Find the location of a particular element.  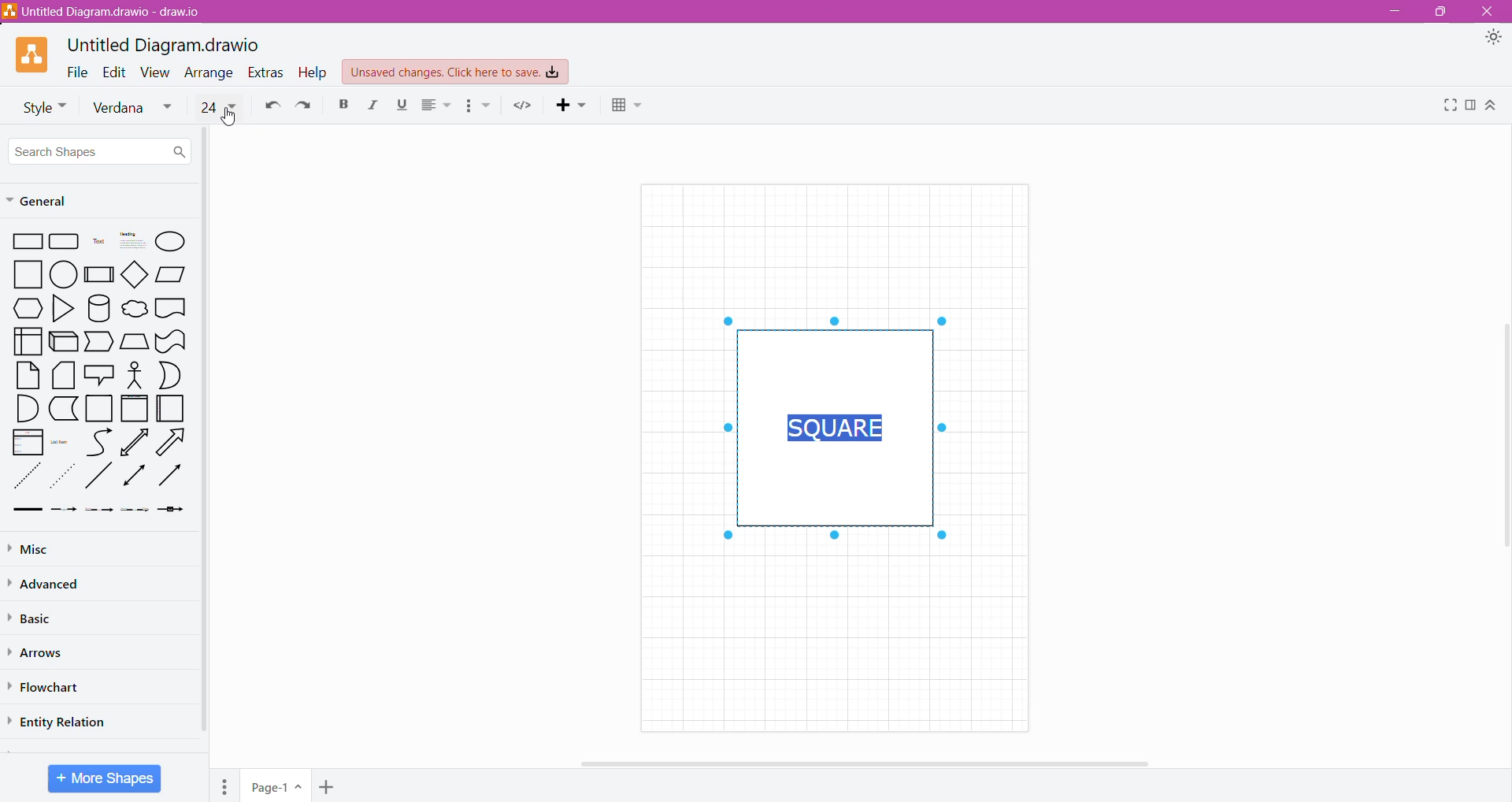

diamond is located at coordinates (136, 275).